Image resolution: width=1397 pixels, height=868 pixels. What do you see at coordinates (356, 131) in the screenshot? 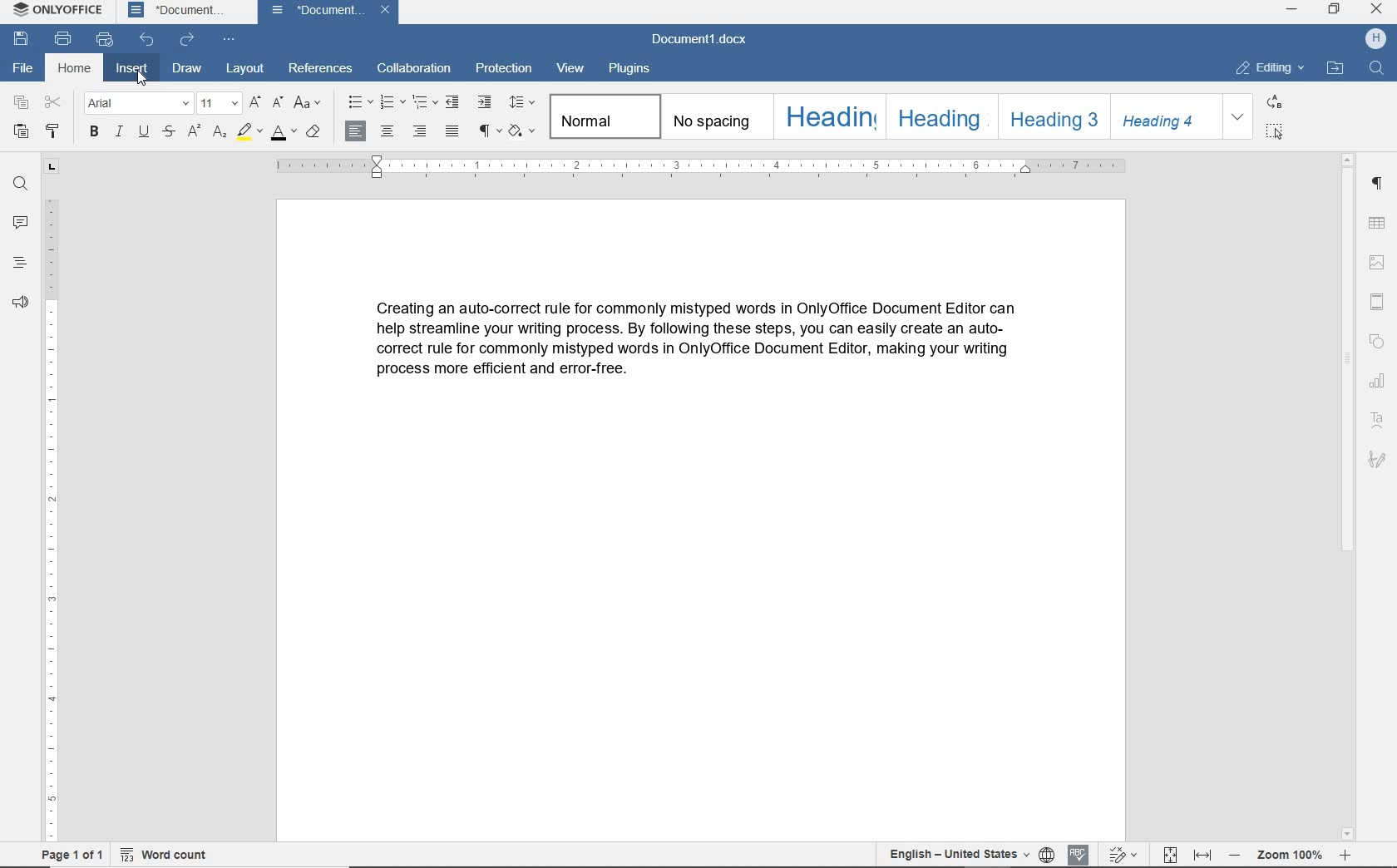
I see `align left` at bounding box center [356, 131].